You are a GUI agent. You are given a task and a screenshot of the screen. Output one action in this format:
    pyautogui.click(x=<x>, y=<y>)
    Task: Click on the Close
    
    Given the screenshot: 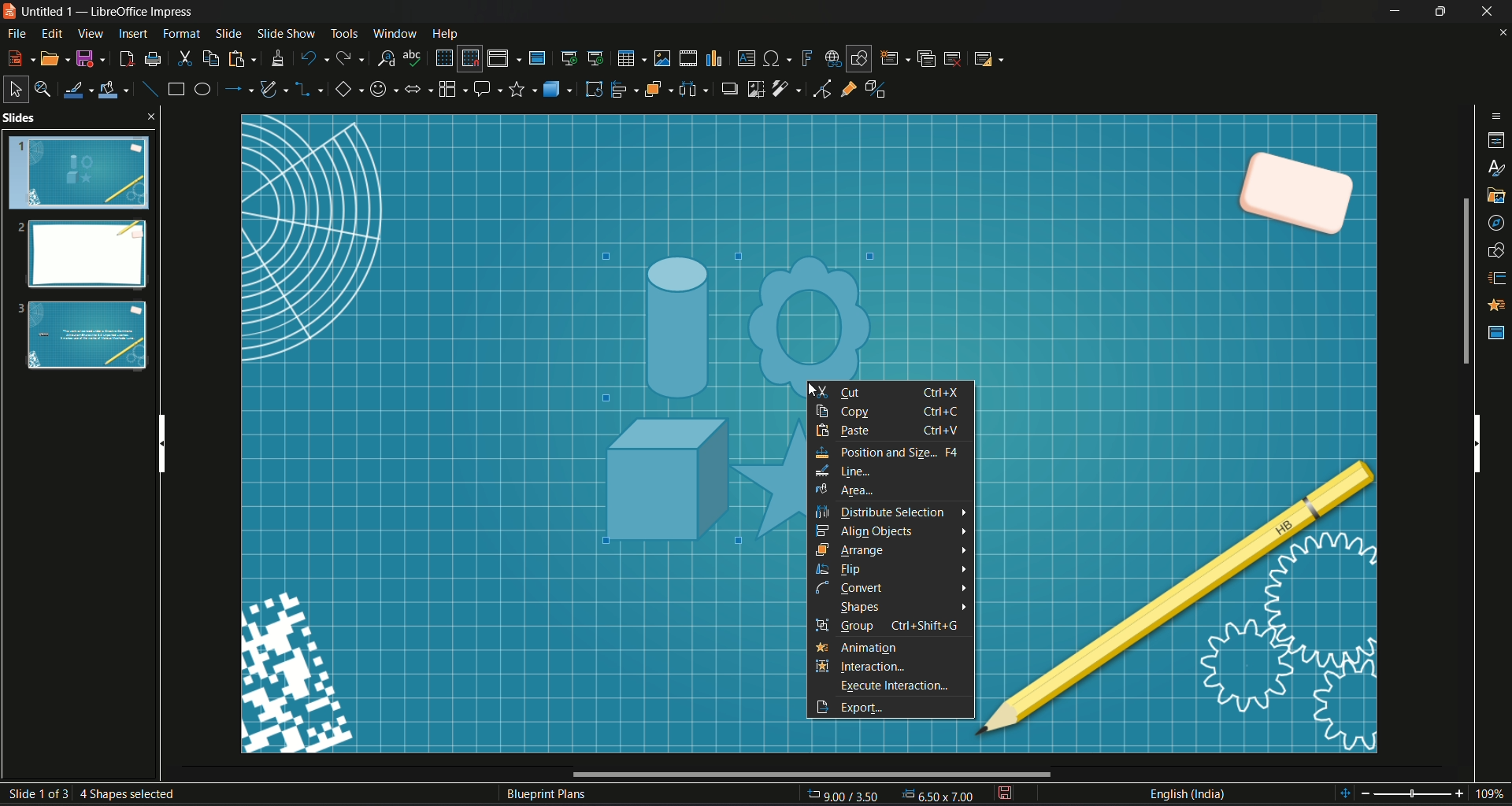 What is the action you would take?
    pyautogui.click(x=1488, y=11)
    